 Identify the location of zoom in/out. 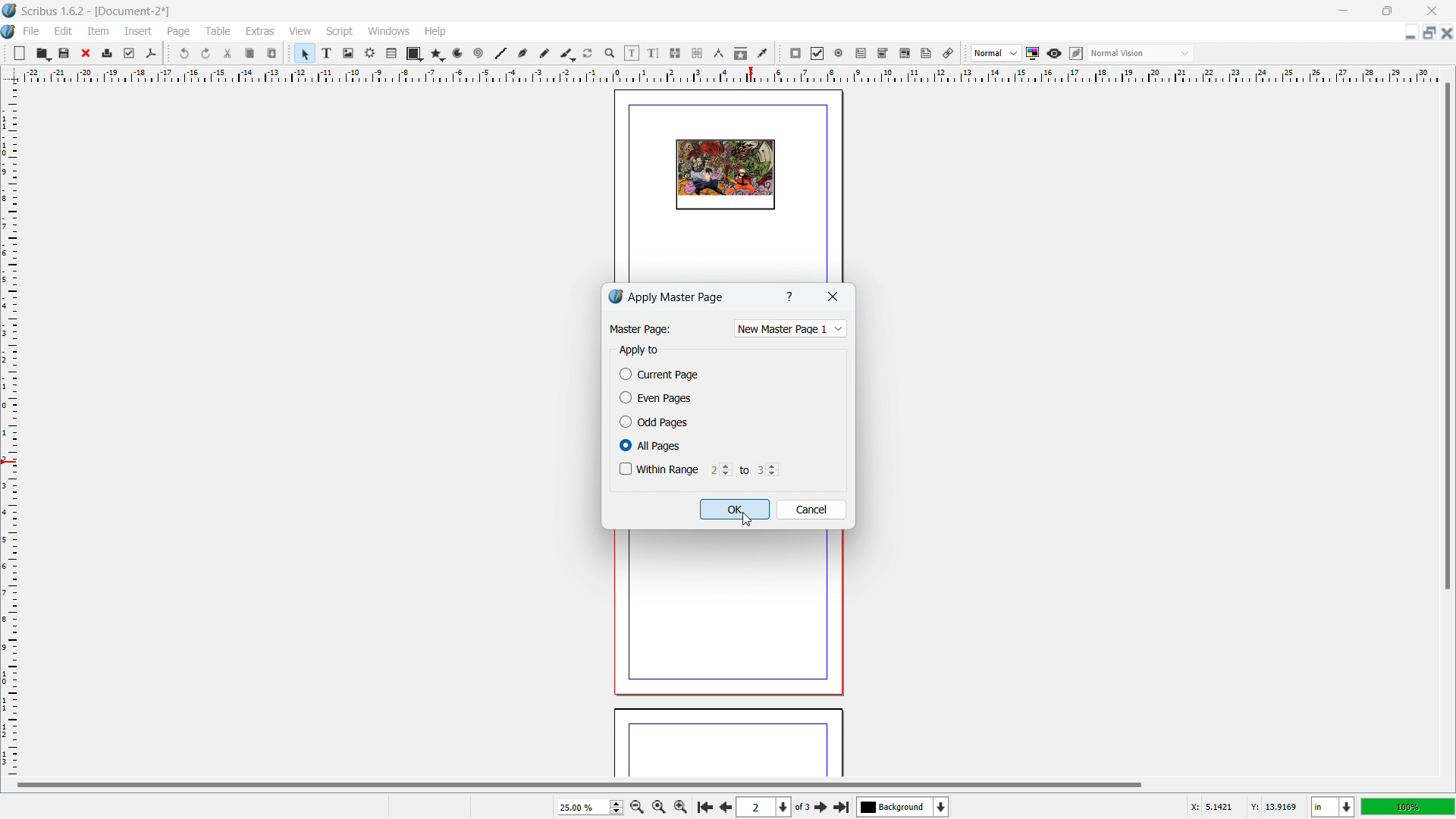
(610, 54).